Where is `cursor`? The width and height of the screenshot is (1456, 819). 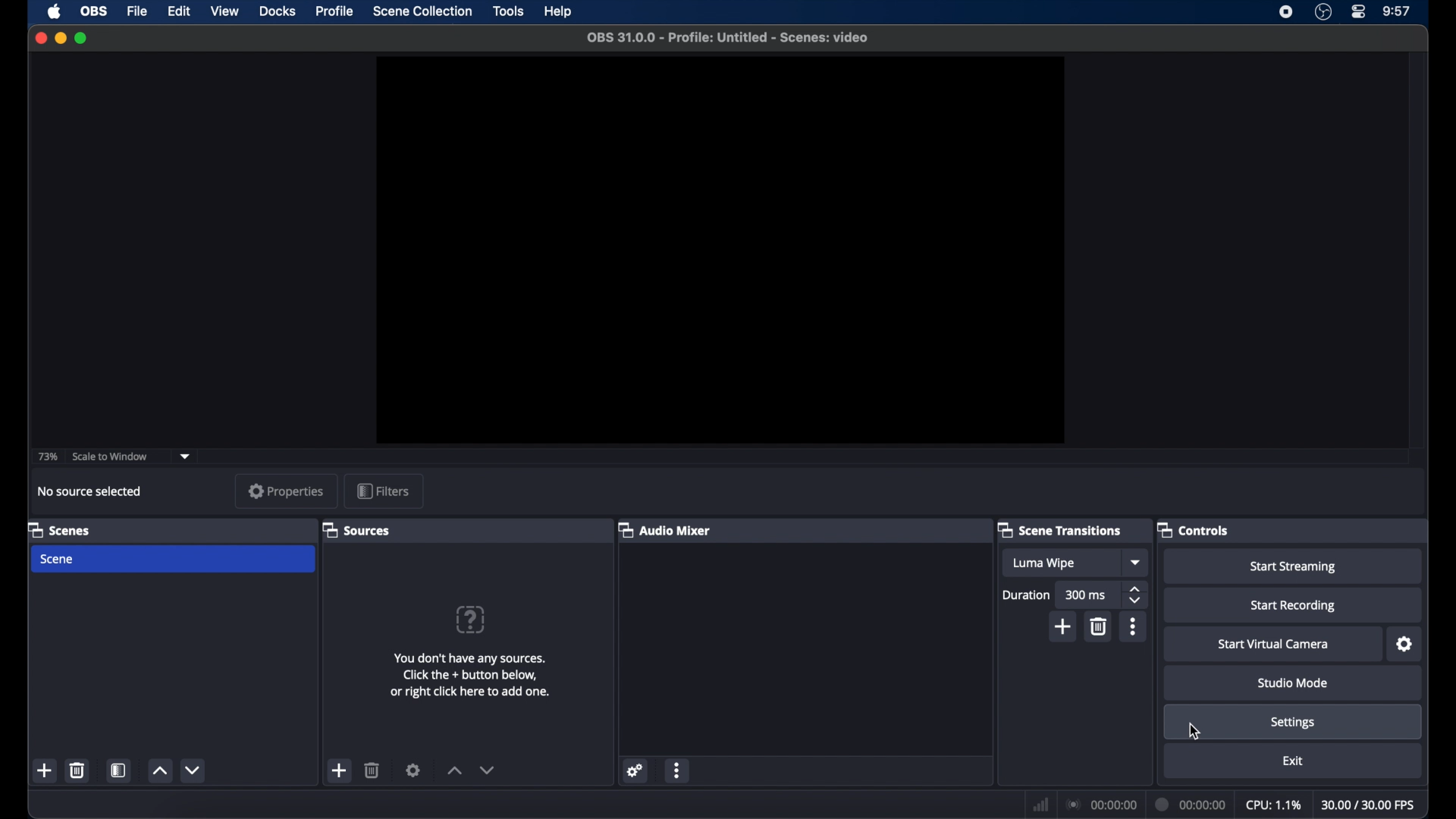
cursor is located at coordinates (1194, 731).